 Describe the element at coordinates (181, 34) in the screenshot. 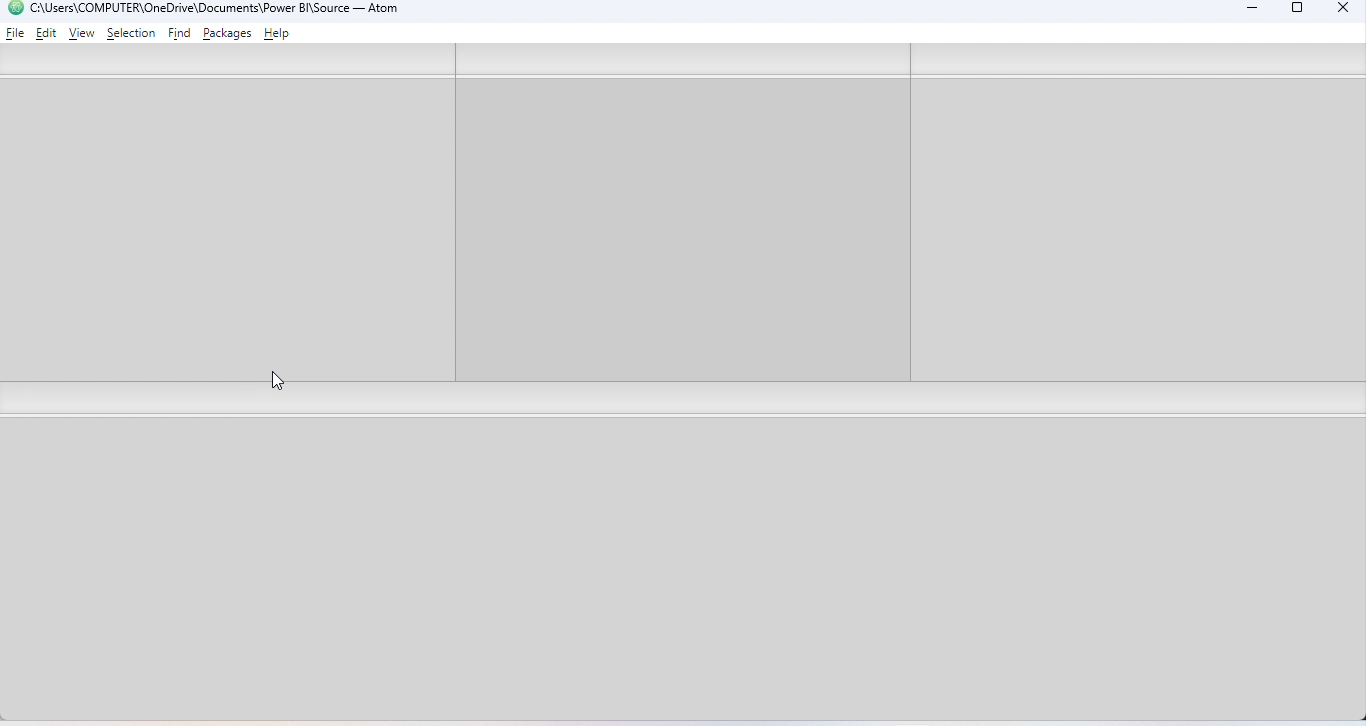

I see `Find` at that location.